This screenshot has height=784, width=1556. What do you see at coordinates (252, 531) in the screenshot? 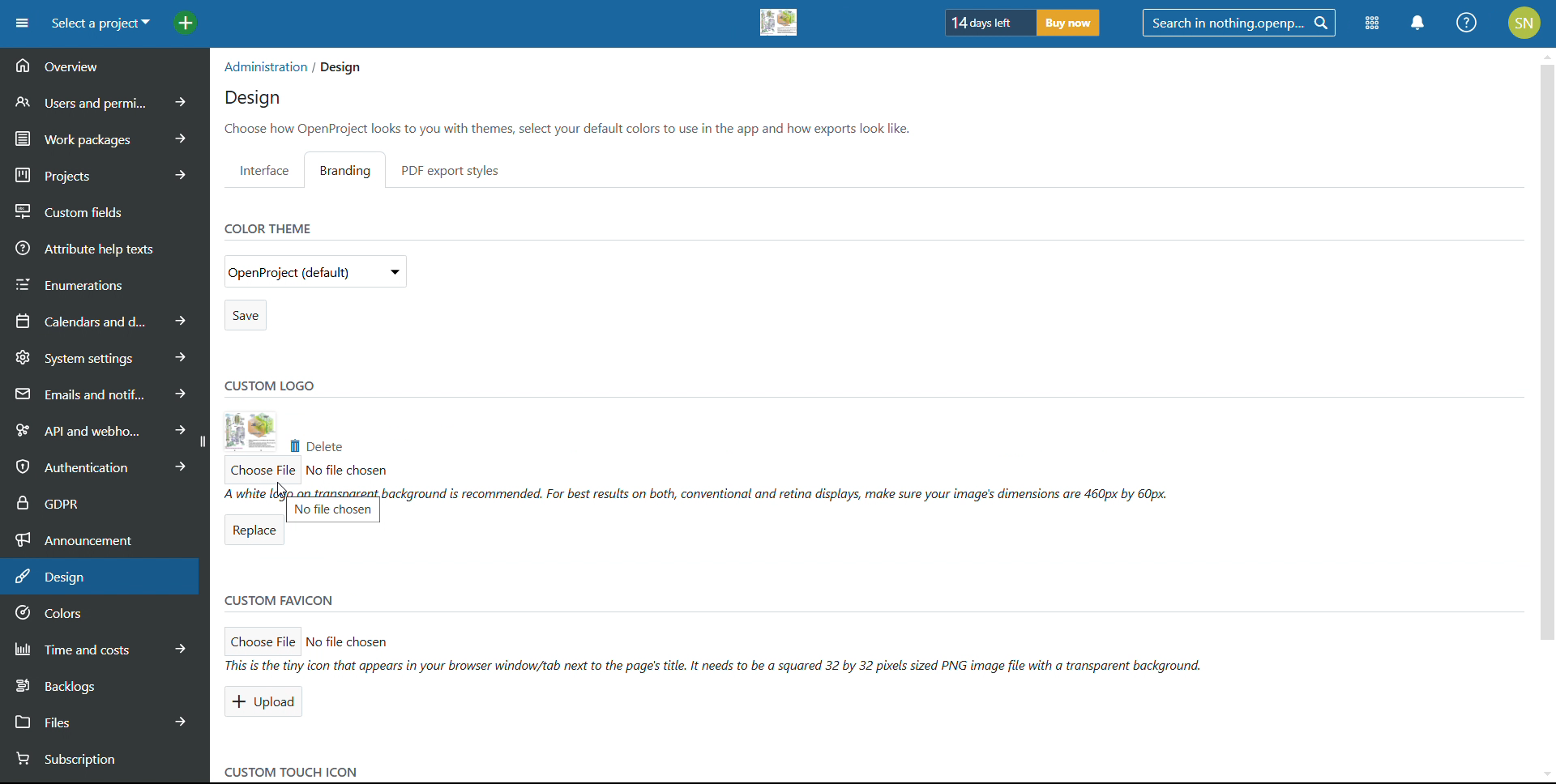
I see `replace` at bounding box center [252, 531].